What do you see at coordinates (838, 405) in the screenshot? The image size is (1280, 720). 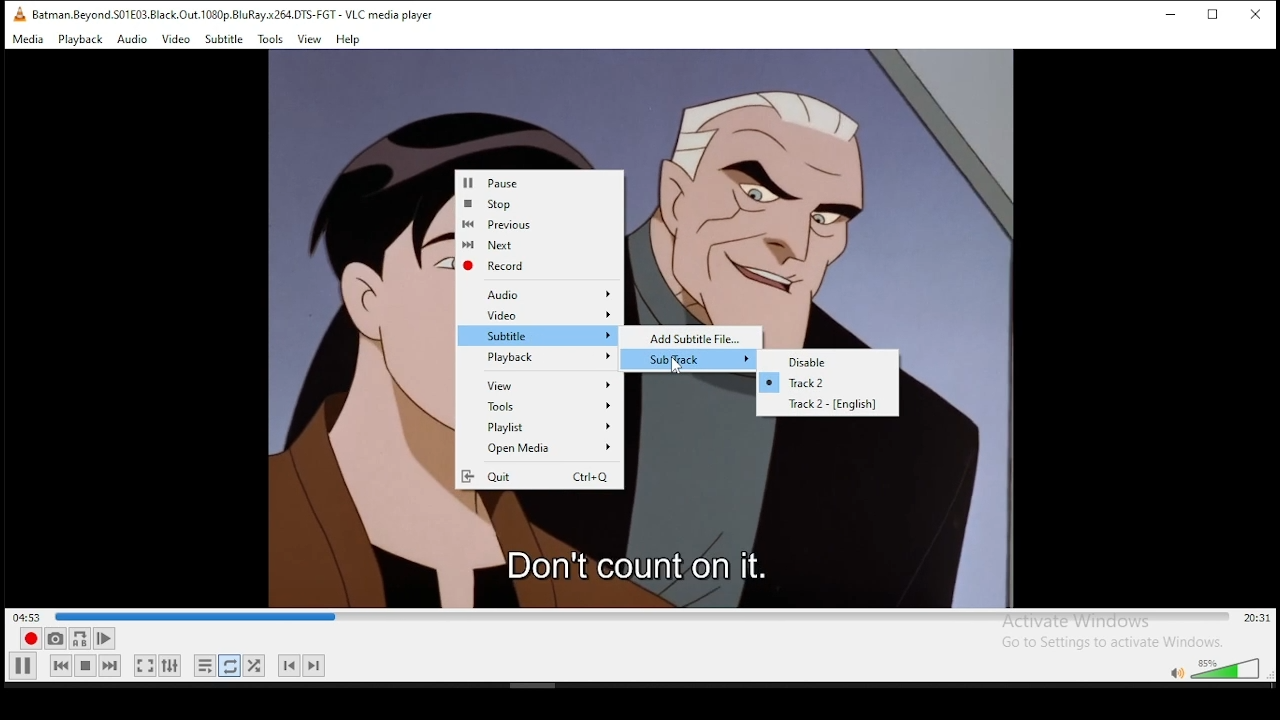 I see `Track 2 - [English]` at bounding box center [838, 405].